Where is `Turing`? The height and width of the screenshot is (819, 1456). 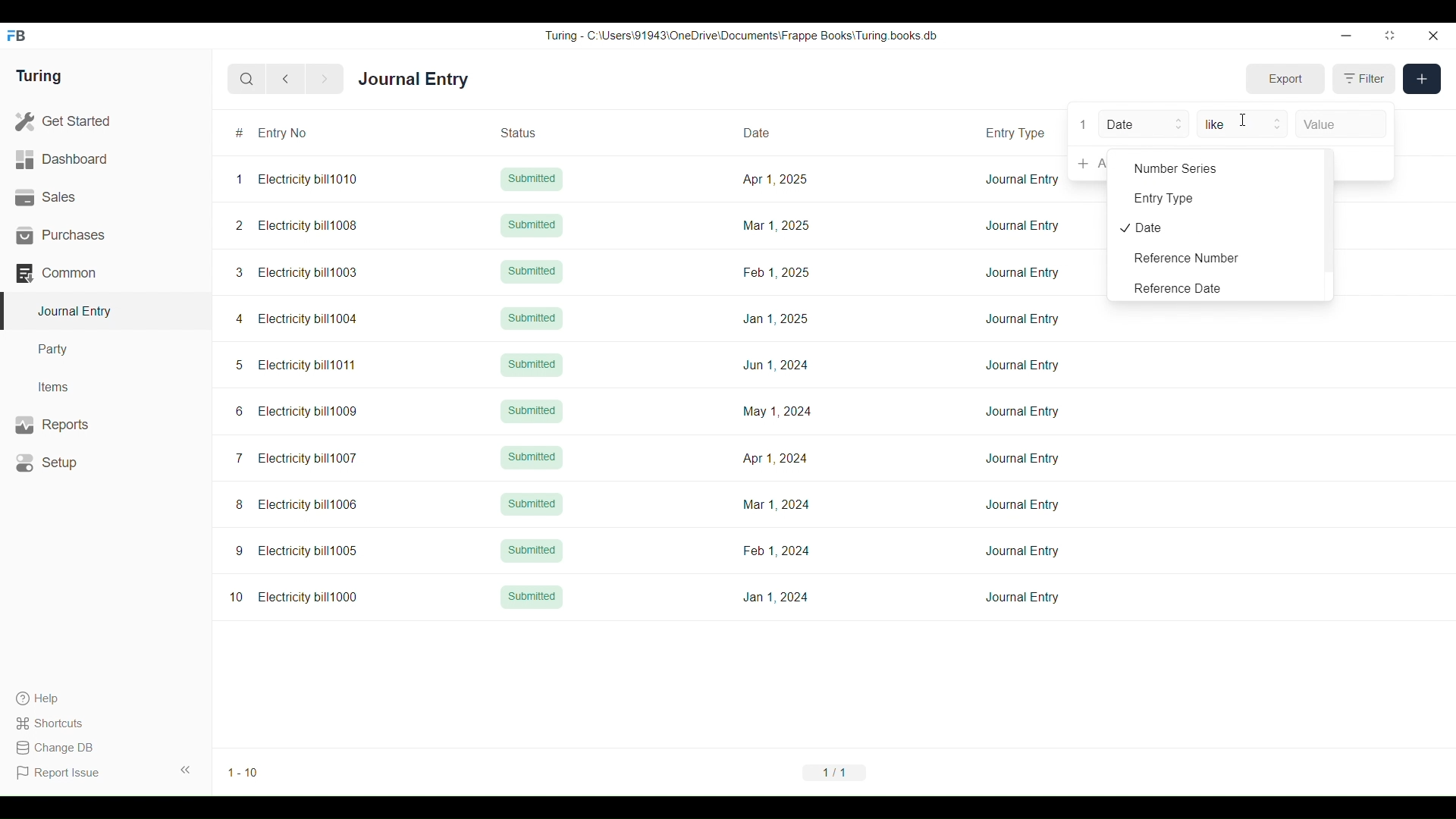 Turing is located at coordinates (39, 76).